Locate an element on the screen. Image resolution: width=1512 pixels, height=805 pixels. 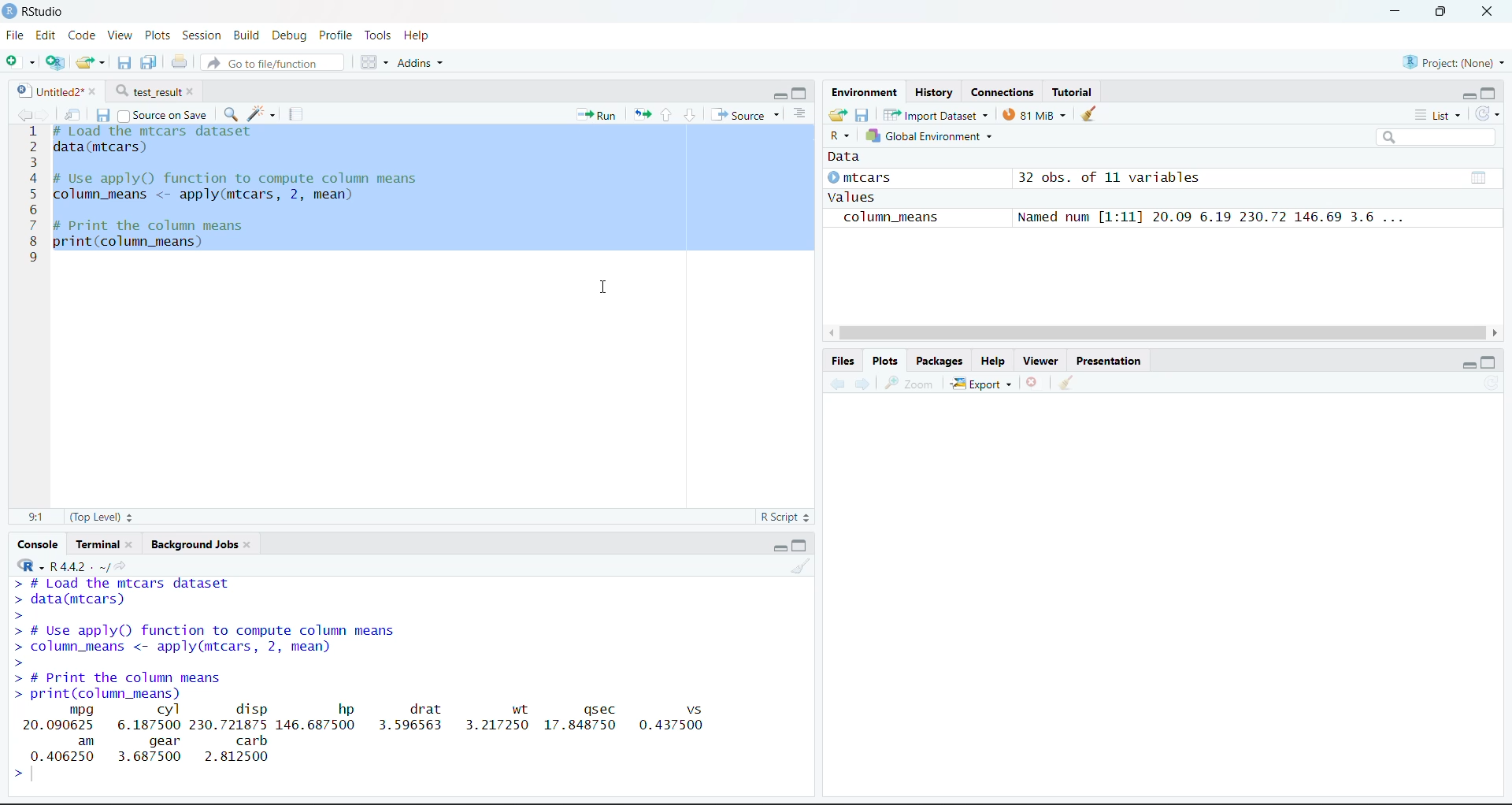
Minimize is located at coordinates (1466, 362).